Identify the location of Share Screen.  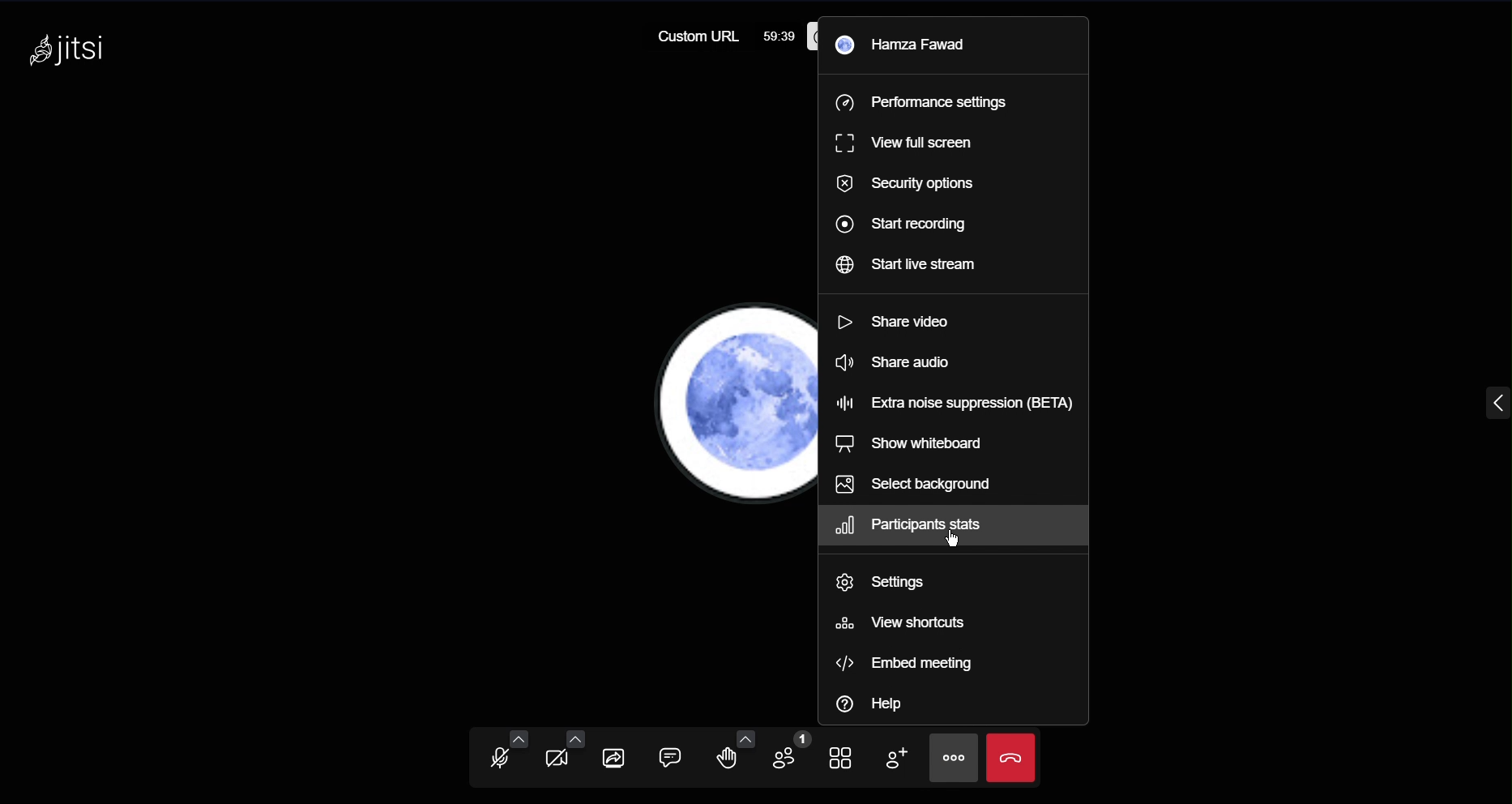
(617, 758).